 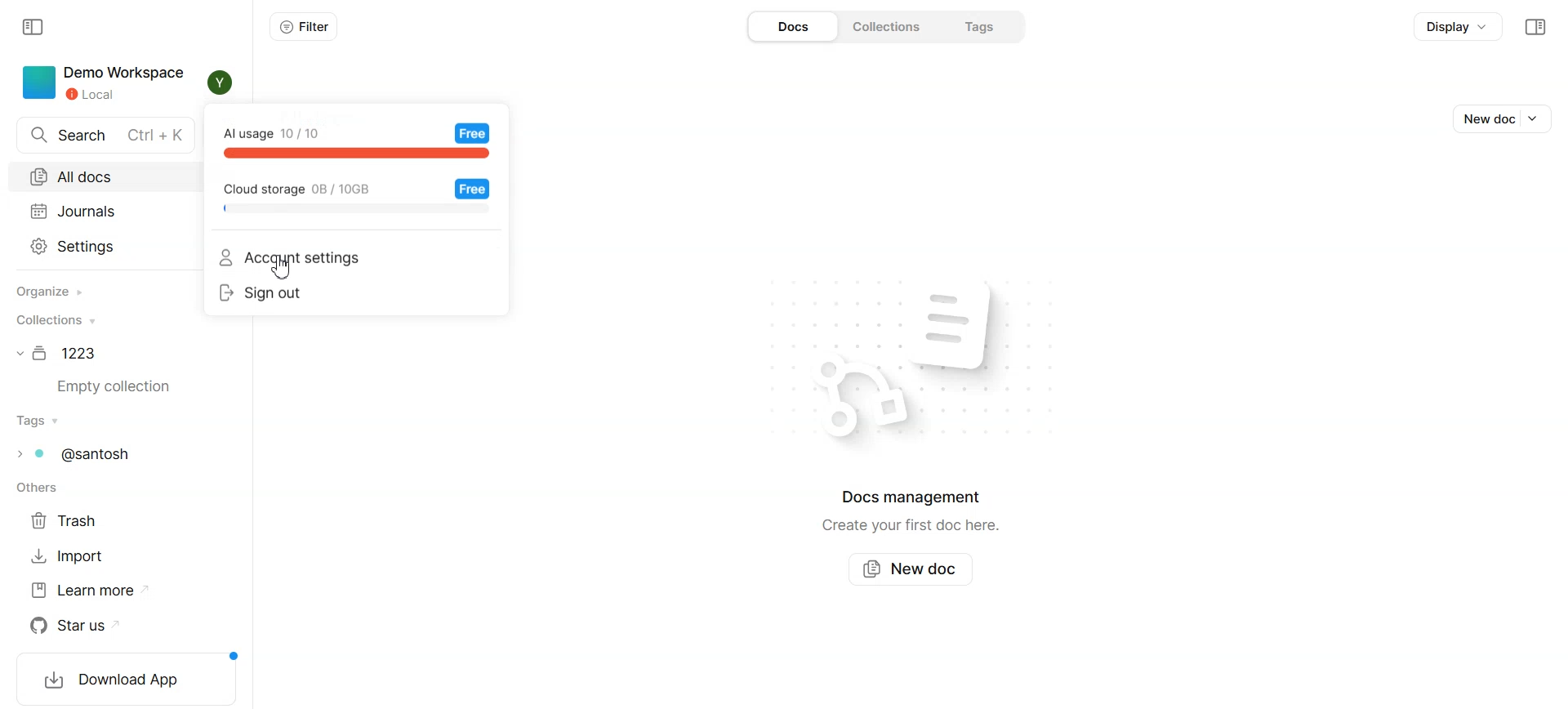 What do you see at coordinates (474, 188) in the screenshot?
I see `Free` at bounding box center [474, 188].